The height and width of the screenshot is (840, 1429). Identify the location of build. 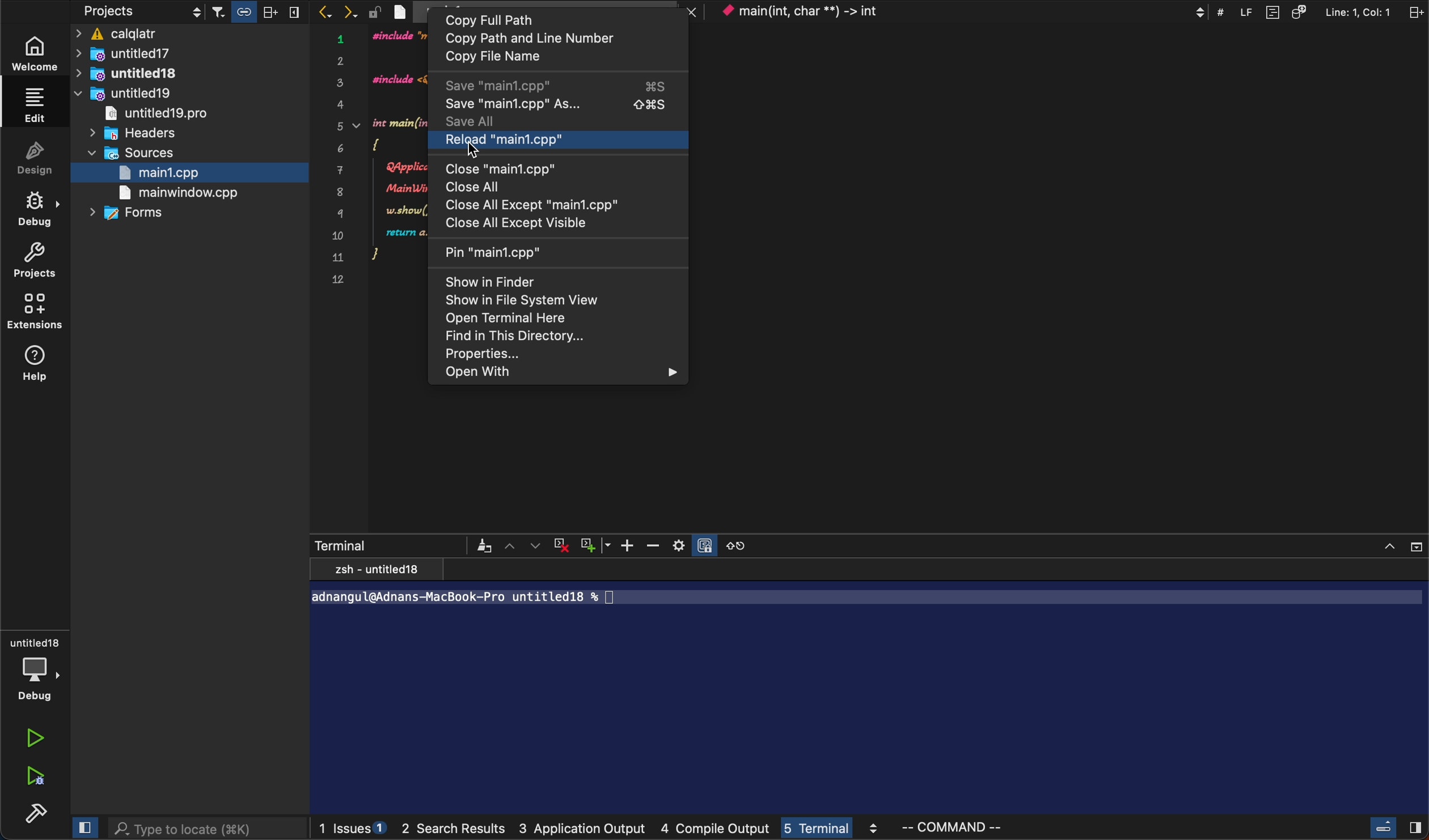
(33, 812).